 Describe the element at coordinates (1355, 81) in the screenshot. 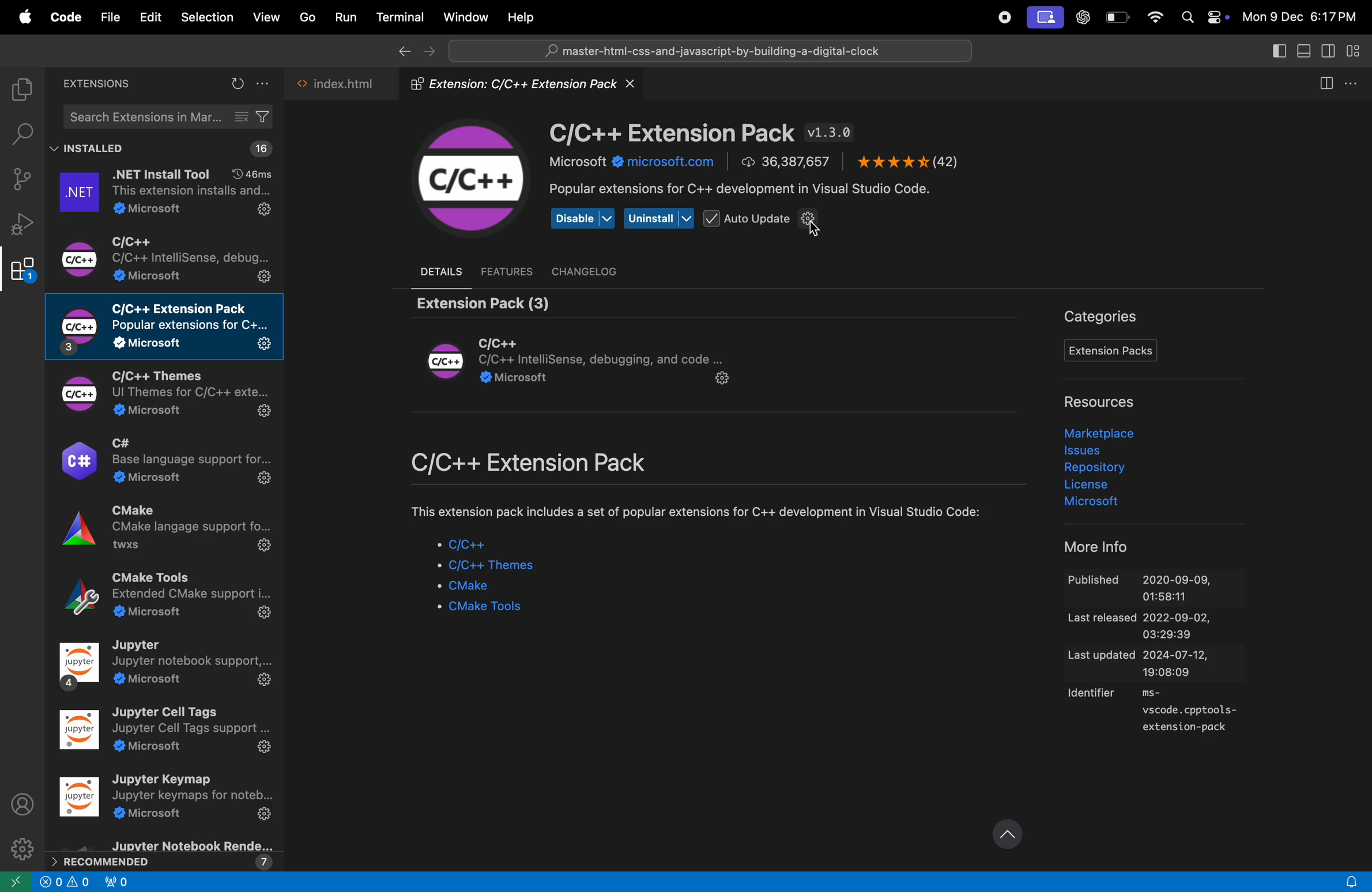

I see `more actions` at that location.